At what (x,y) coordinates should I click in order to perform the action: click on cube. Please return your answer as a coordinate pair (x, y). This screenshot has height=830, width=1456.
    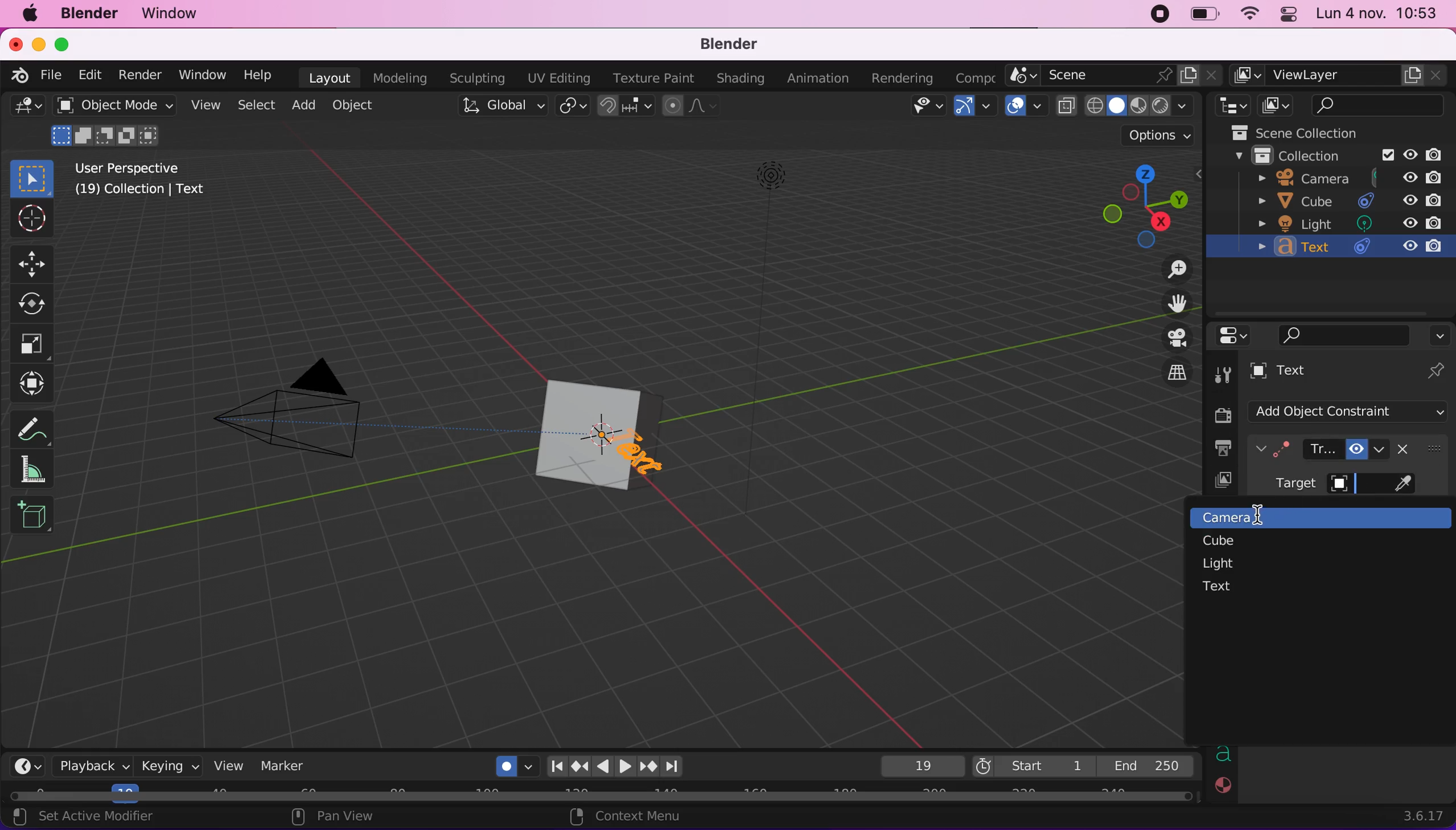
    Looking at the image, I should click on (1342, 201).